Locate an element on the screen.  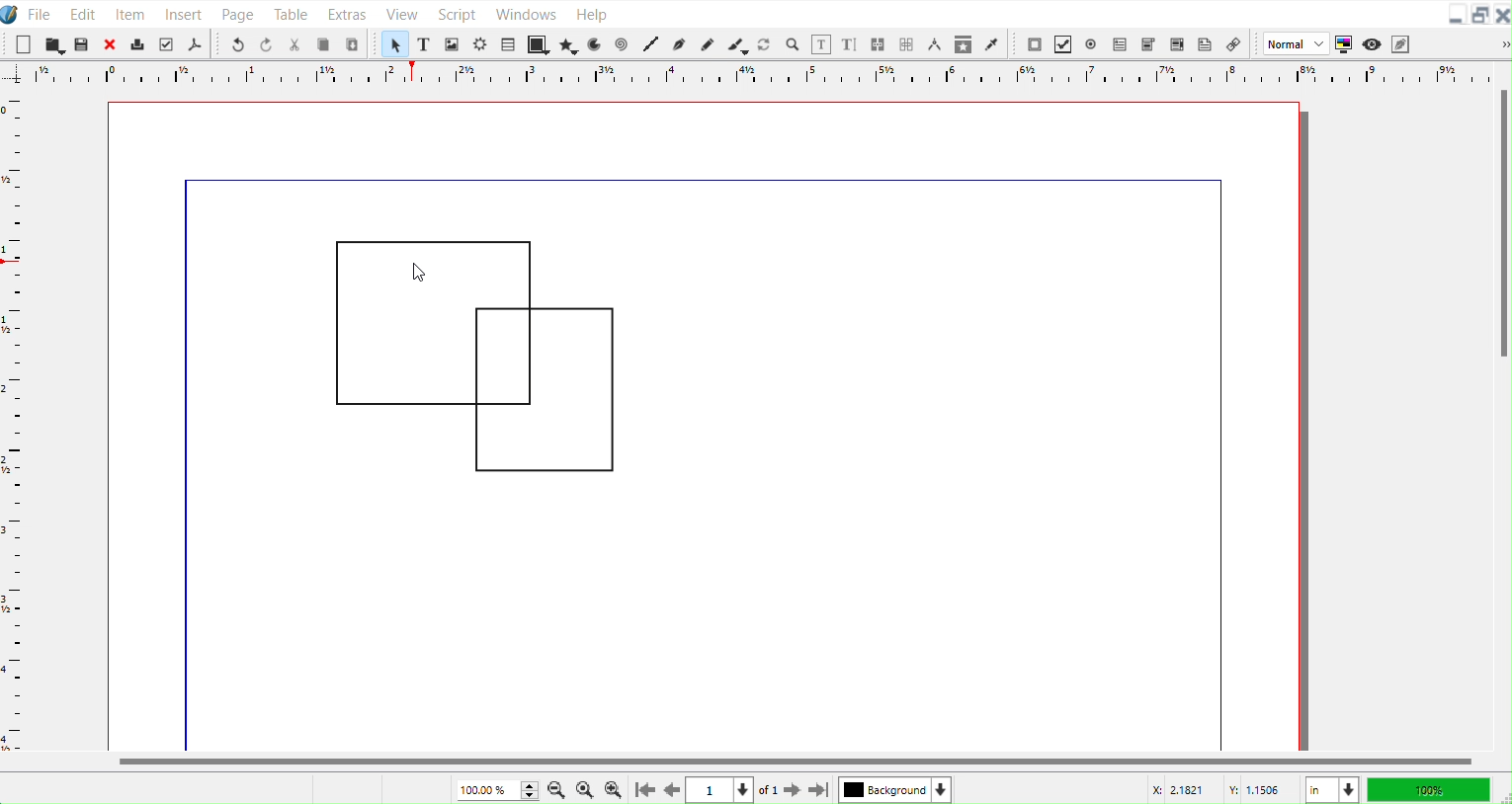
Select current layer is located at coordinates (895, 789).